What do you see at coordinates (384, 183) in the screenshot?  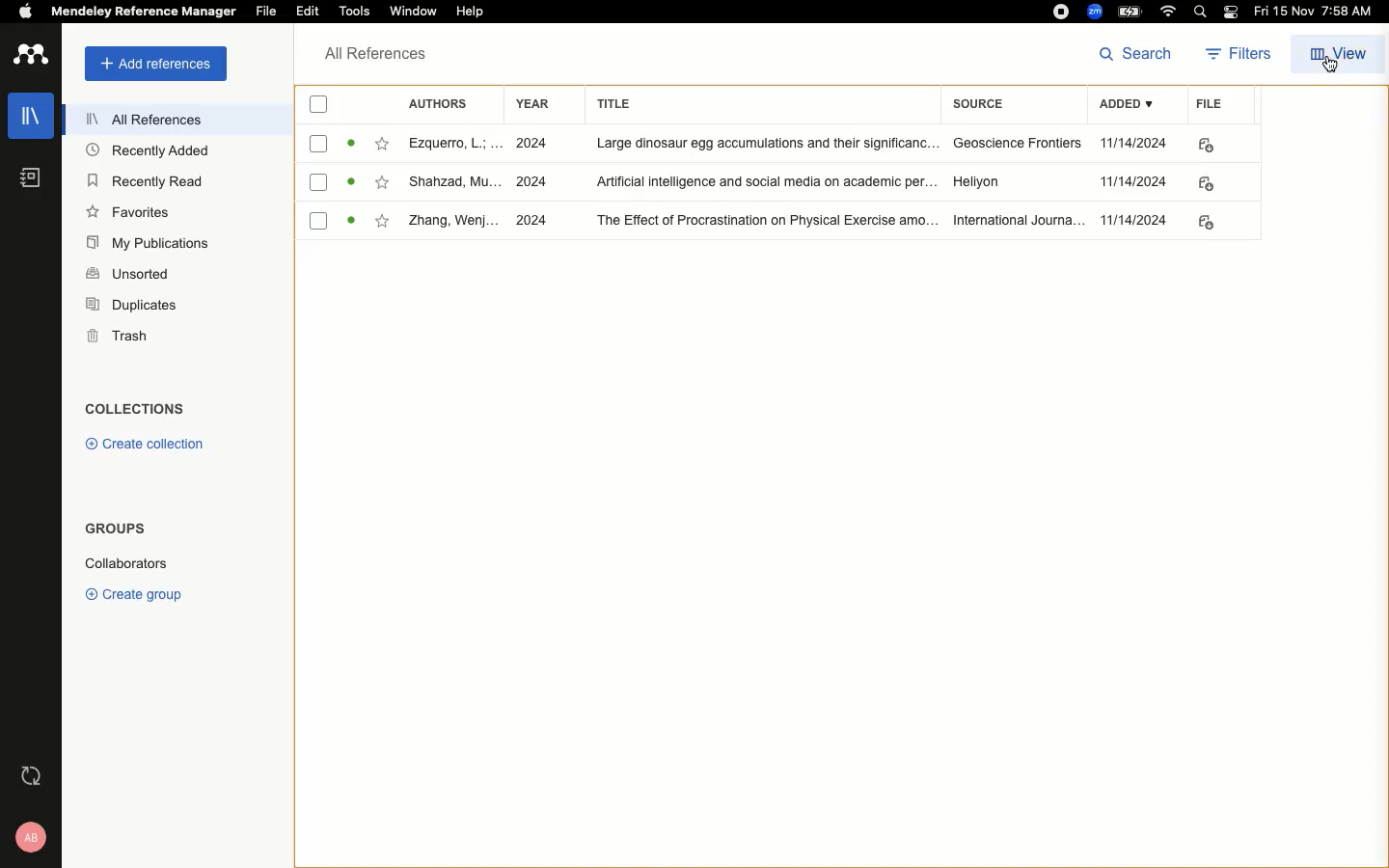 I see `Favorites` at bounding box center [384, 183].